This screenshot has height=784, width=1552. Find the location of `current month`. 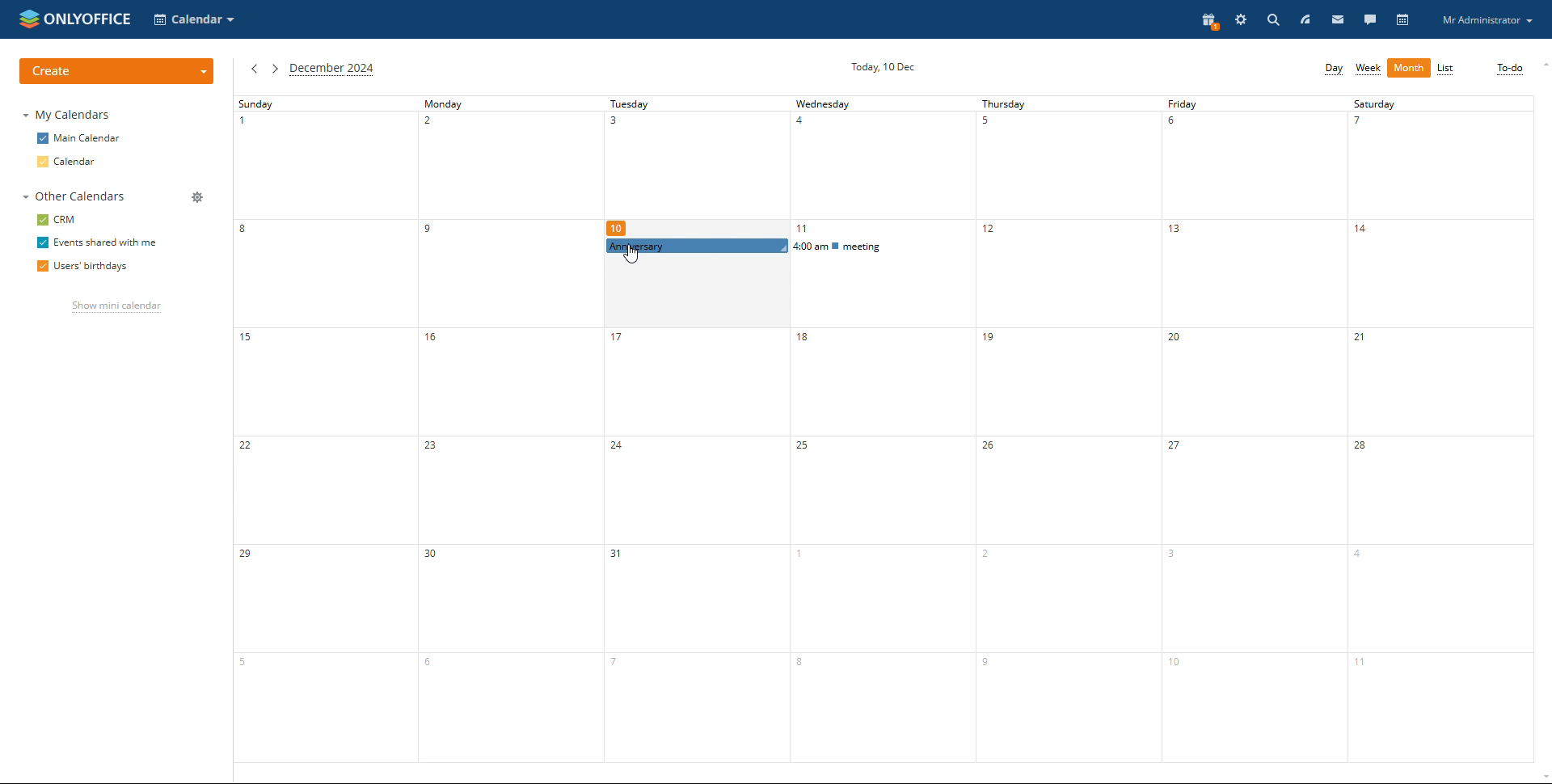

current month is located at coordinates (332, 70).